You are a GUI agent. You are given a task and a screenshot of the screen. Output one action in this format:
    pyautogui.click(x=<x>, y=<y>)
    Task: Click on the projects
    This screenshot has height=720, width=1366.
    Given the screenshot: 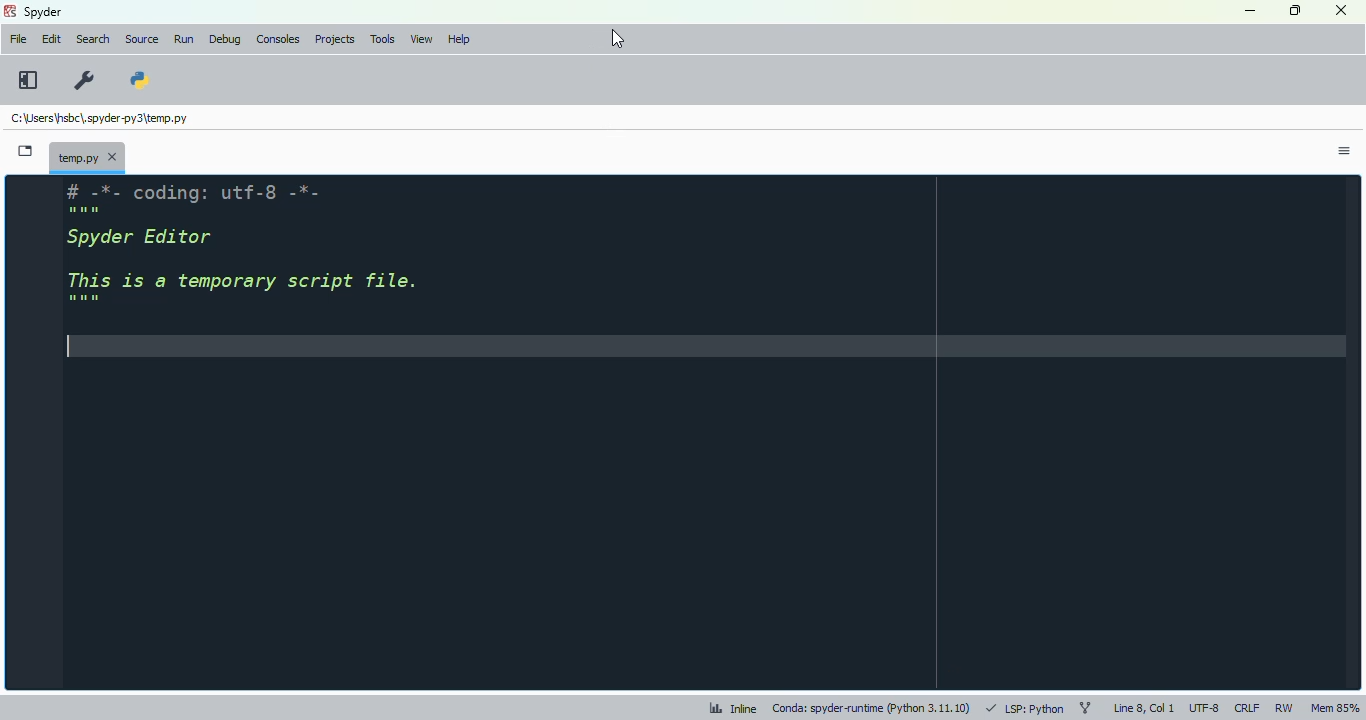 What is the action you would take?
    pyautogui.click(x=336, y=39)
    